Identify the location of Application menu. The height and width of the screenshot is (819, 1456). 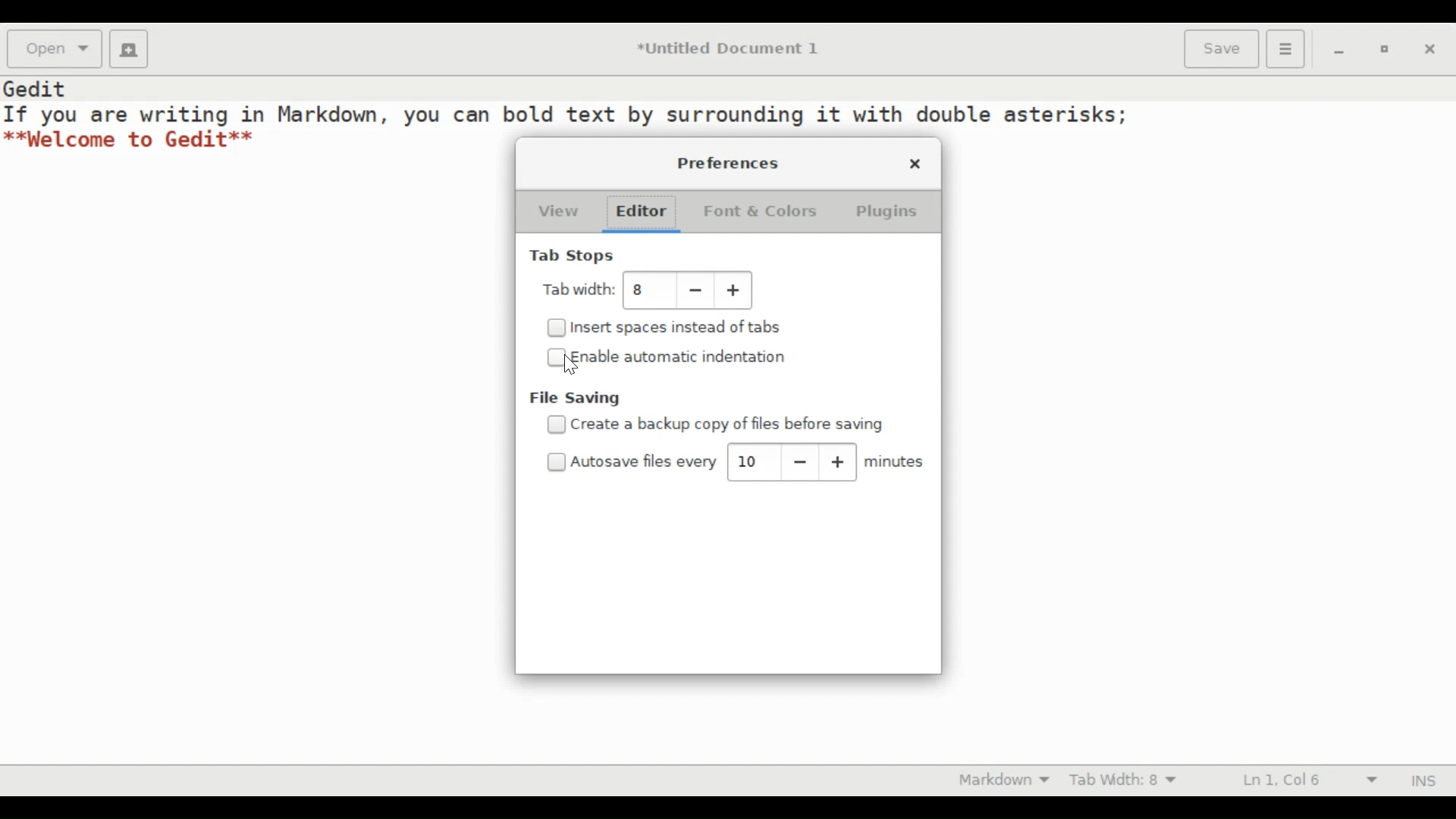
(1285, 49).